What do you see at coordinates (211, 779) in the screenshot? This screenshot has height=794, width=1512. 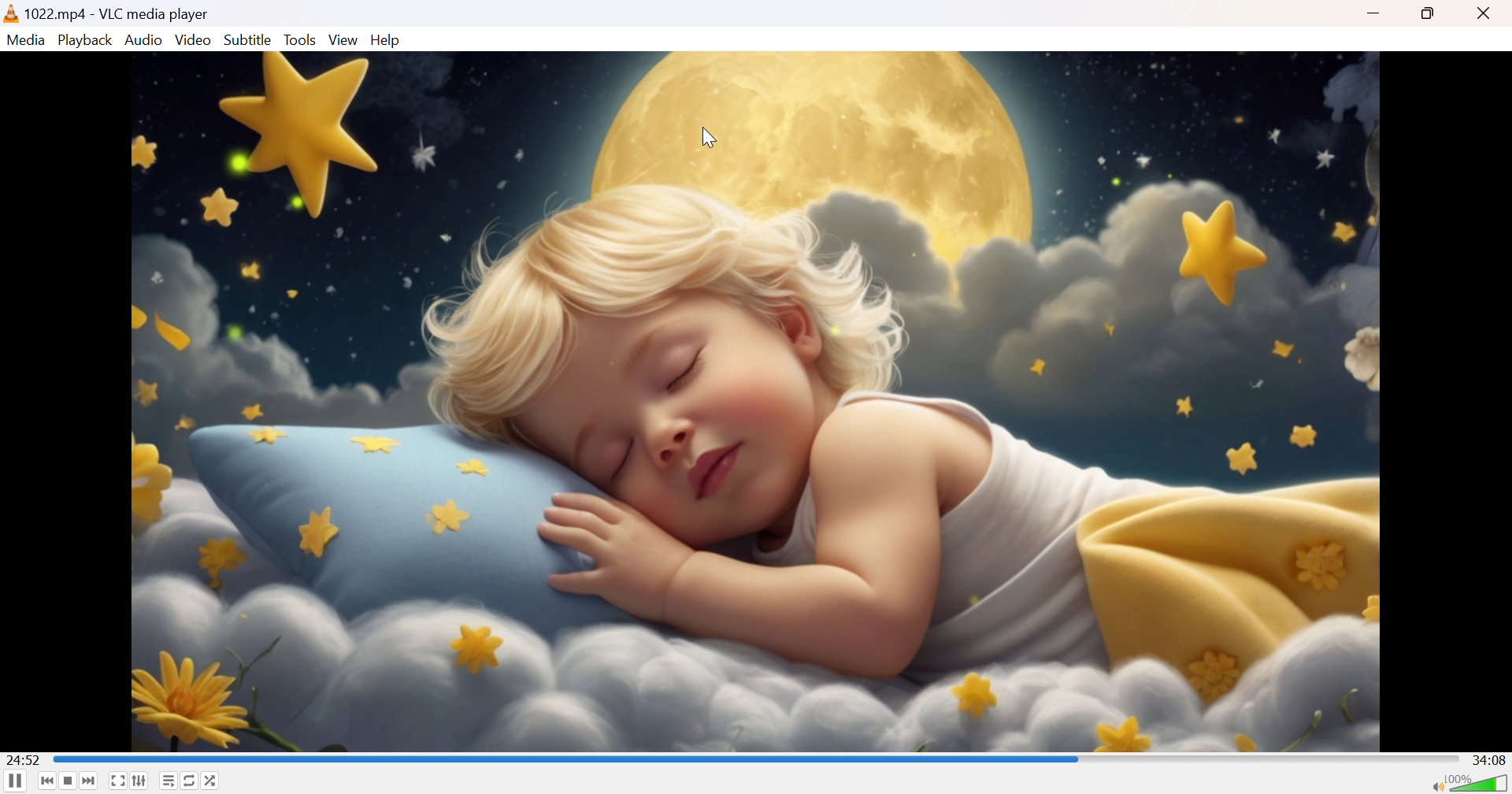 I see `Random` at bounding box center [211, 779].